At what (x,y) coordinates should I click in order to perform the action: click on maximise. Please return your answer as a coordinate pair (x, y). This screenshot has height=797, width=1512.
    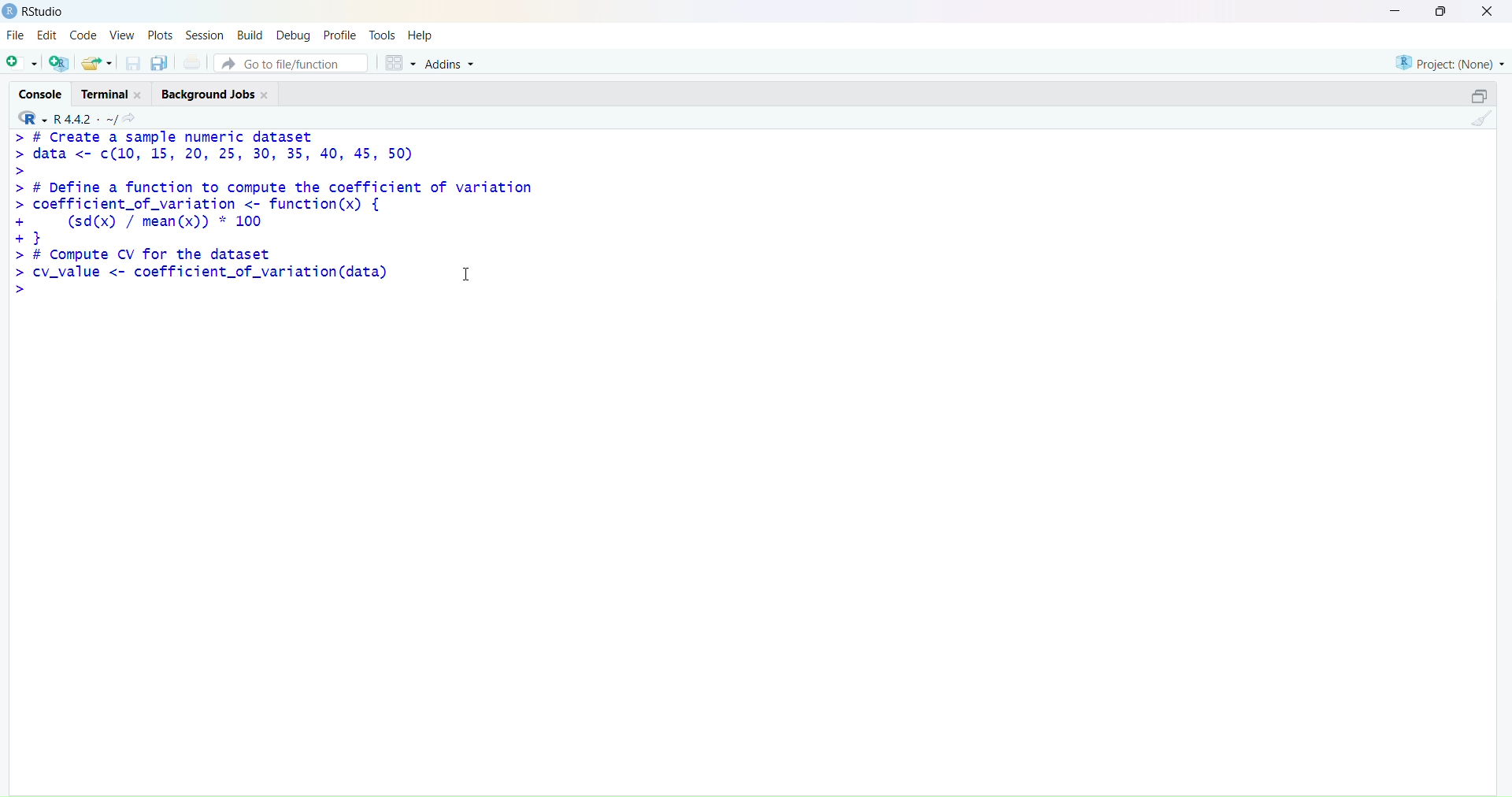
    Looking at the image, I should click on (1441, 10).